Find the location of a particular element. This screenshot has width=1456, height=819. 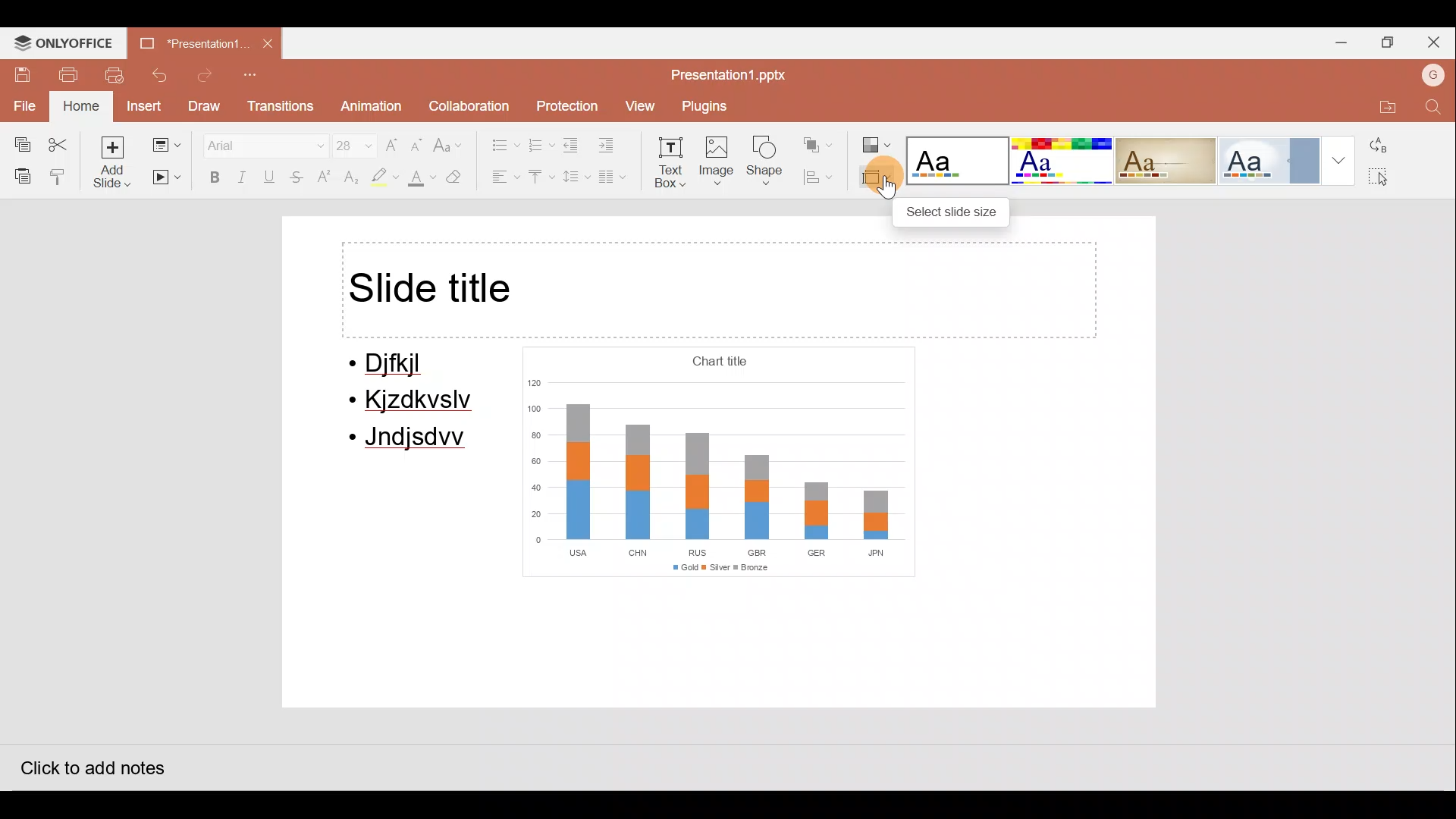

Theme 1 is located at coordinates (959, 162).